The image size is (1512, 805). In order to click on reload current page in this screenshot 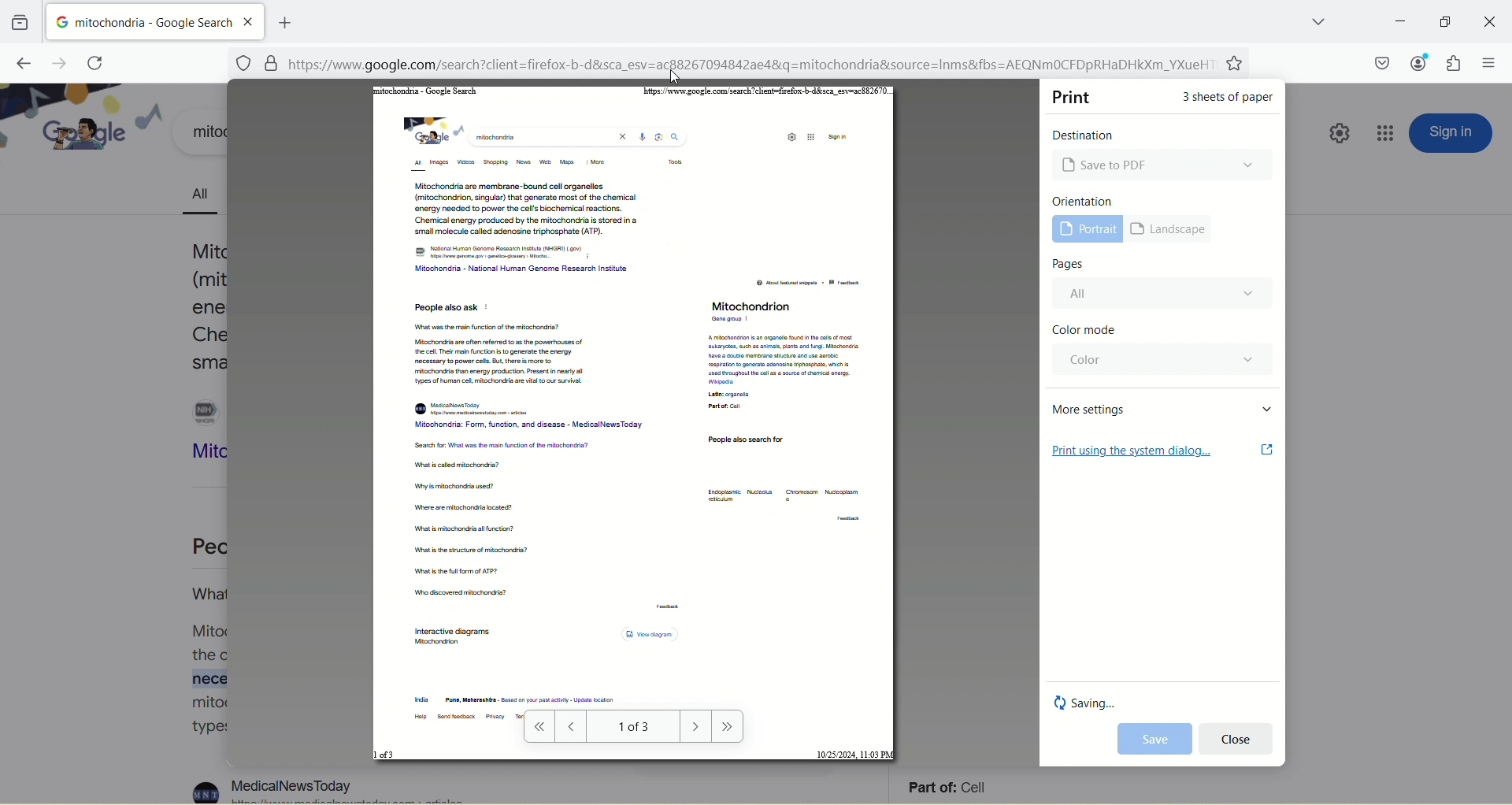, I will do `click(95, 63)`.